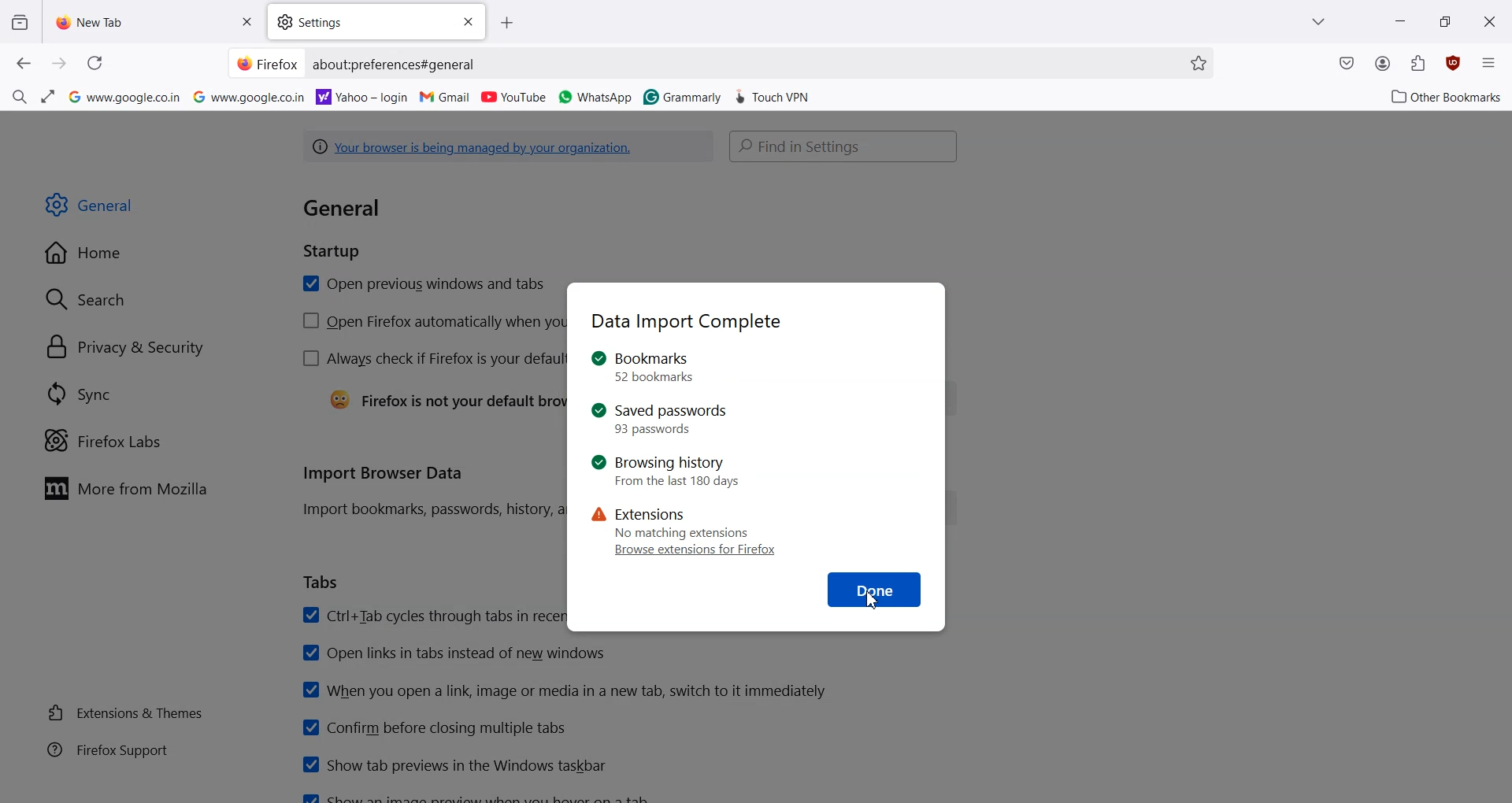 The height and width of the screenshot is (803, 1512). What do you see at coordinates (19, 94) in the screenshot?
I see `Find` at bounding box center [19, 94].